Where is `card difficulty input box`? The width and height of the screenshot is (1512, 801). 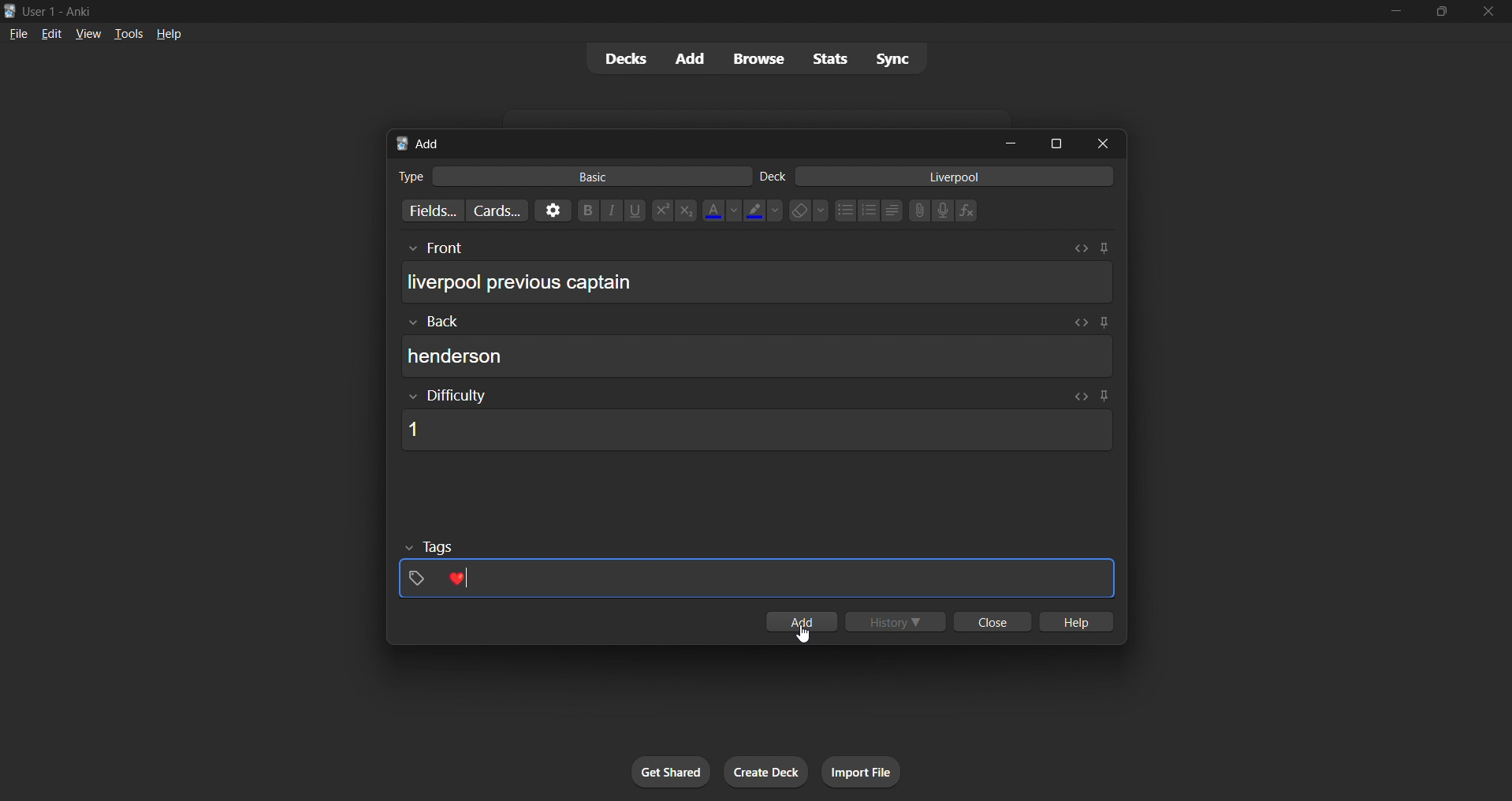 card difficulty input box is located at coordinates (753, 420).